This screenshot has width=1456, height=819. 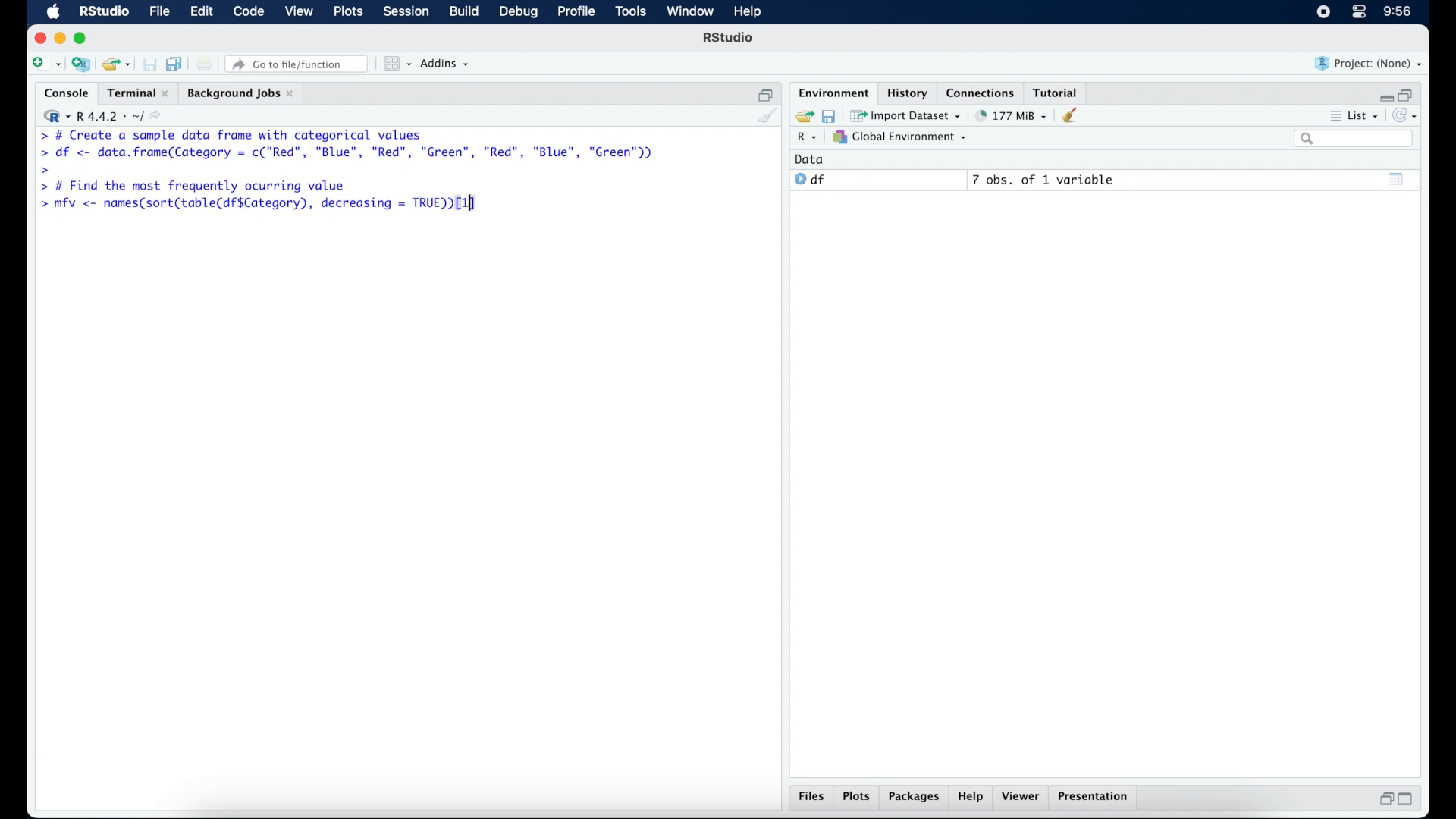 I want to click on debug, so click(x=517, y=13).